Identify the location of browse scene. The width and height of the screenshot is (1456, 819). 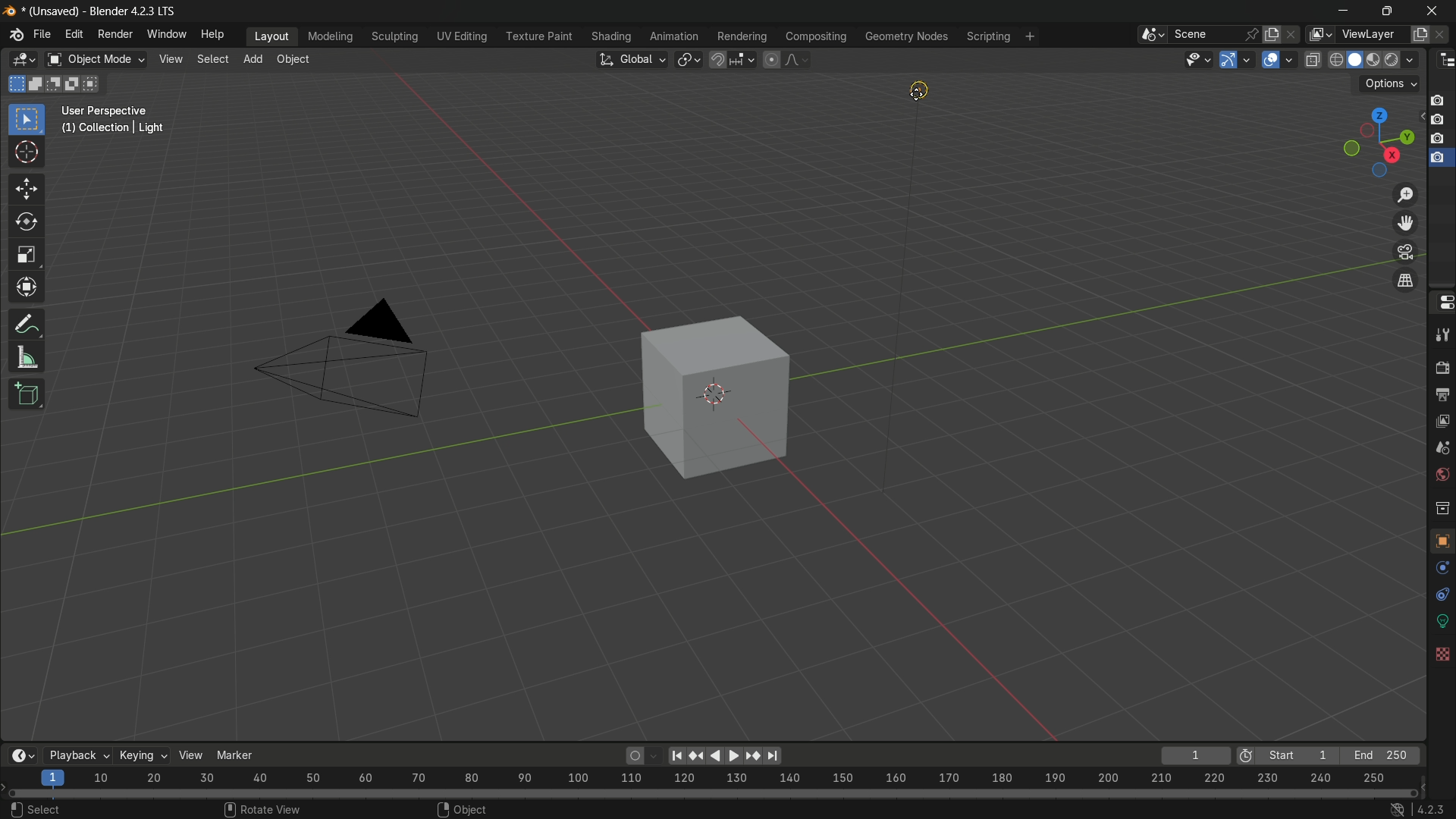
(1153, 36).